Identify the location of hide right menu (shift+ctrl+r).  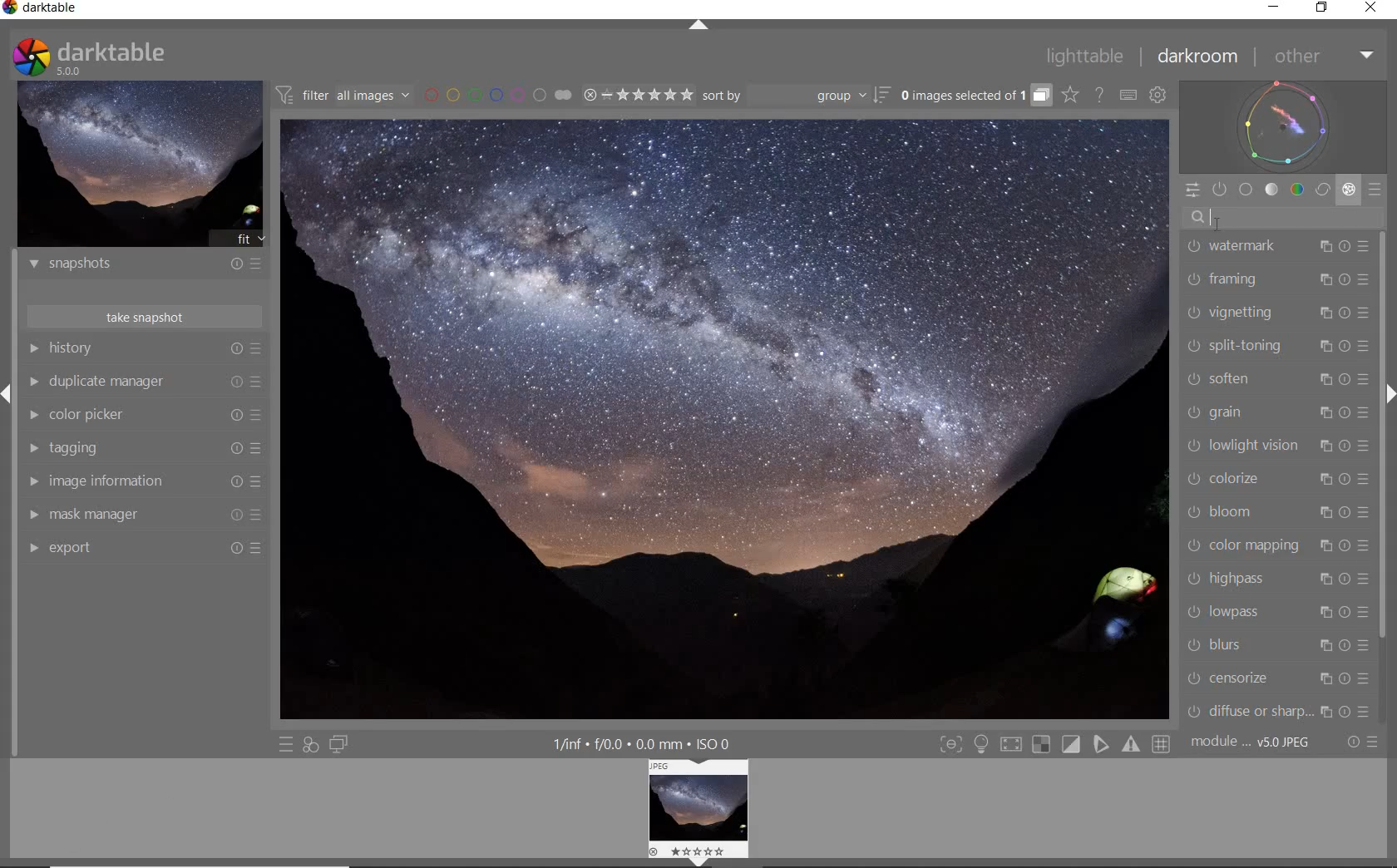
(1389, 394).